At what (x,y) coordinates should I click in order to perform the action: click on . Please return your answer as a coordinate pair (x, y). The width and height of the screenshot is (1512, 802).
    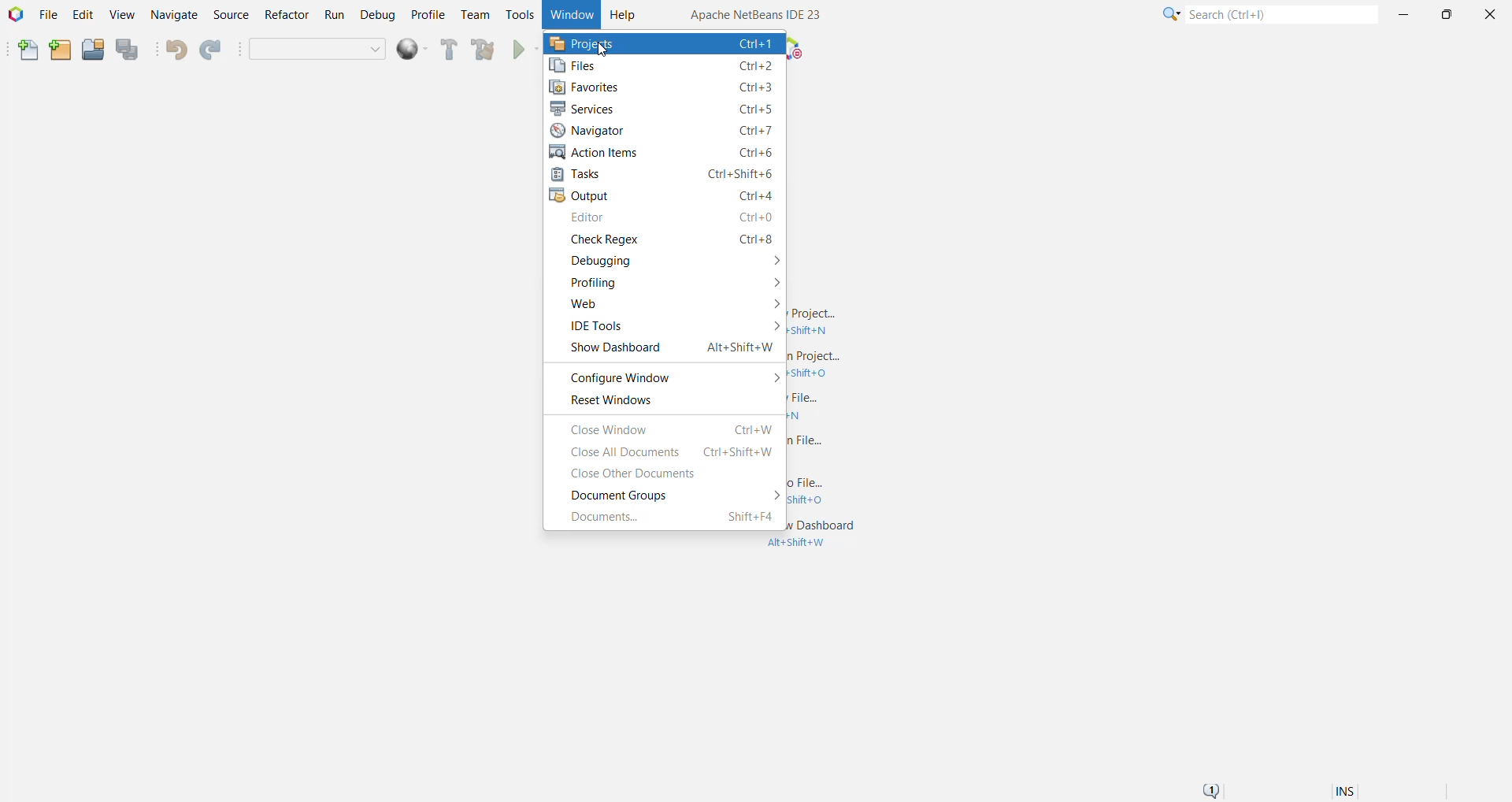
    Looking at the image, I should click on (668, 496).